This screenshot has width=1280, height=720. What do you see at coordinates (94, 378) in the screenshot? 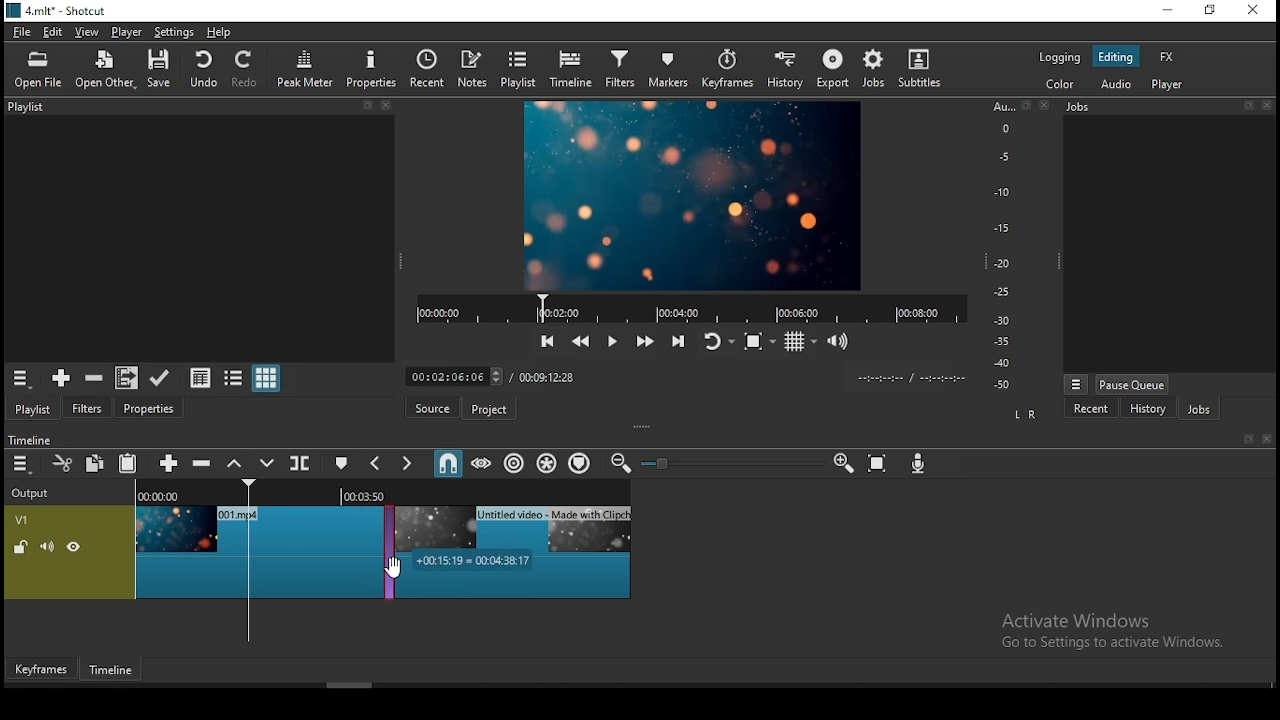
I see `remove cut` at bounding box center [94, 378].